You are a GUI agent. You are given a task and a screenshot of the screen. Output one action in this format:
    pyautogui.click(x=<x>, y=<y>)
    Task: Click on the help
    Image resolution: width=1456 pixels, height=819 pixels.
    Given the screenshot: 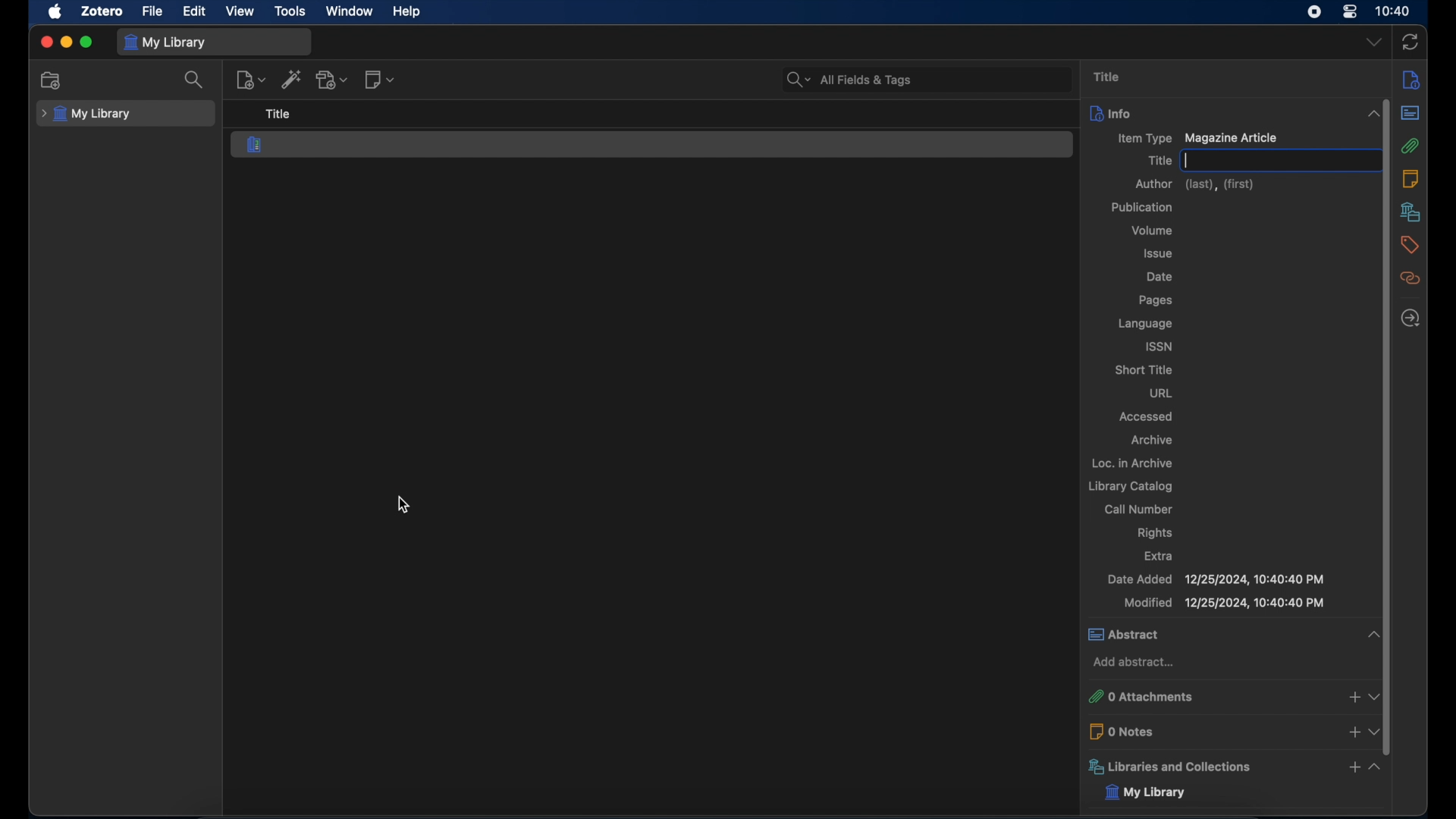 What is the action you would take?
    pyautogui.click(x=406, y=12)
    